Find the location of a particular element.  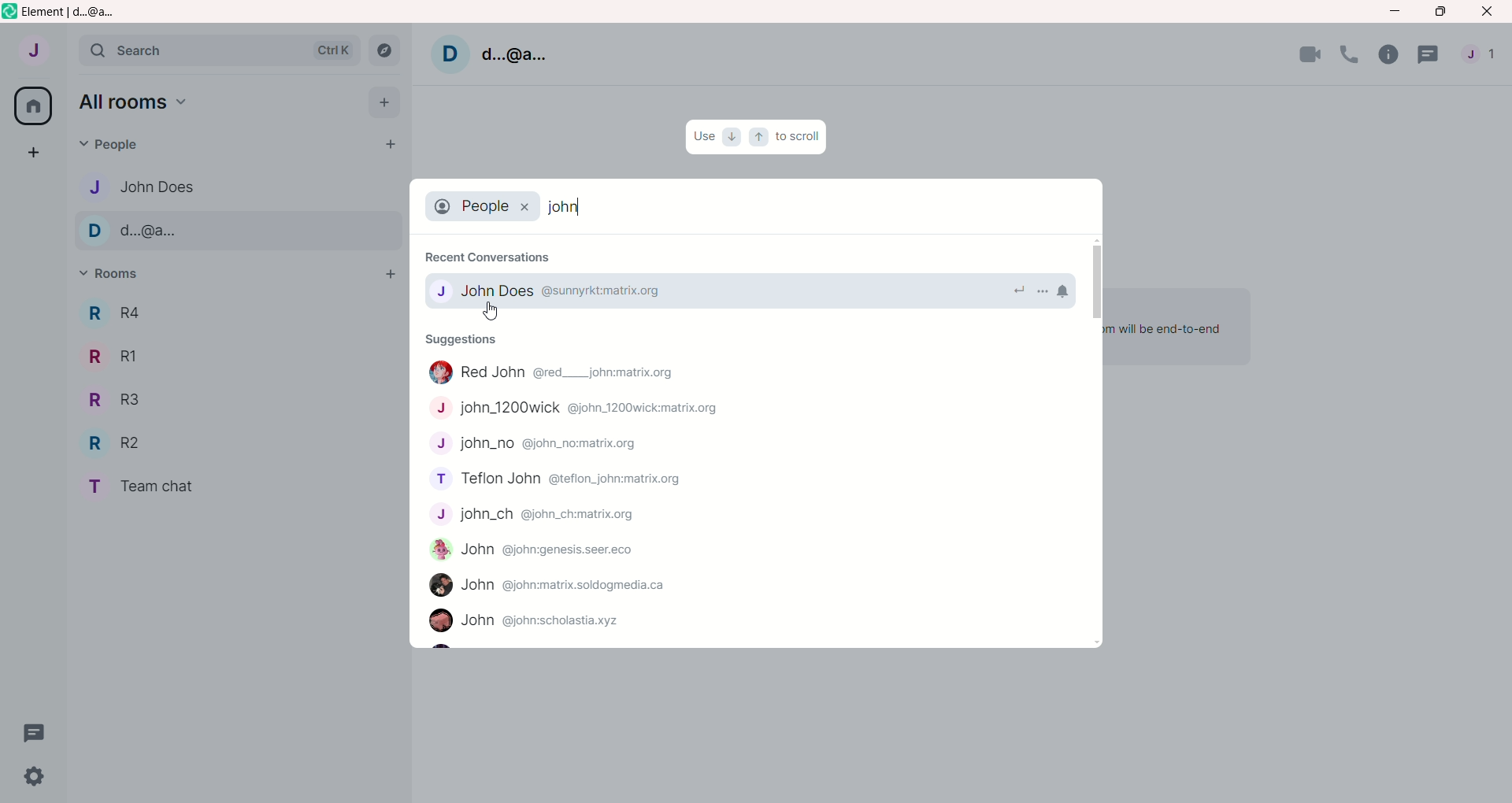

room options is located at coordinates (1043, 290).